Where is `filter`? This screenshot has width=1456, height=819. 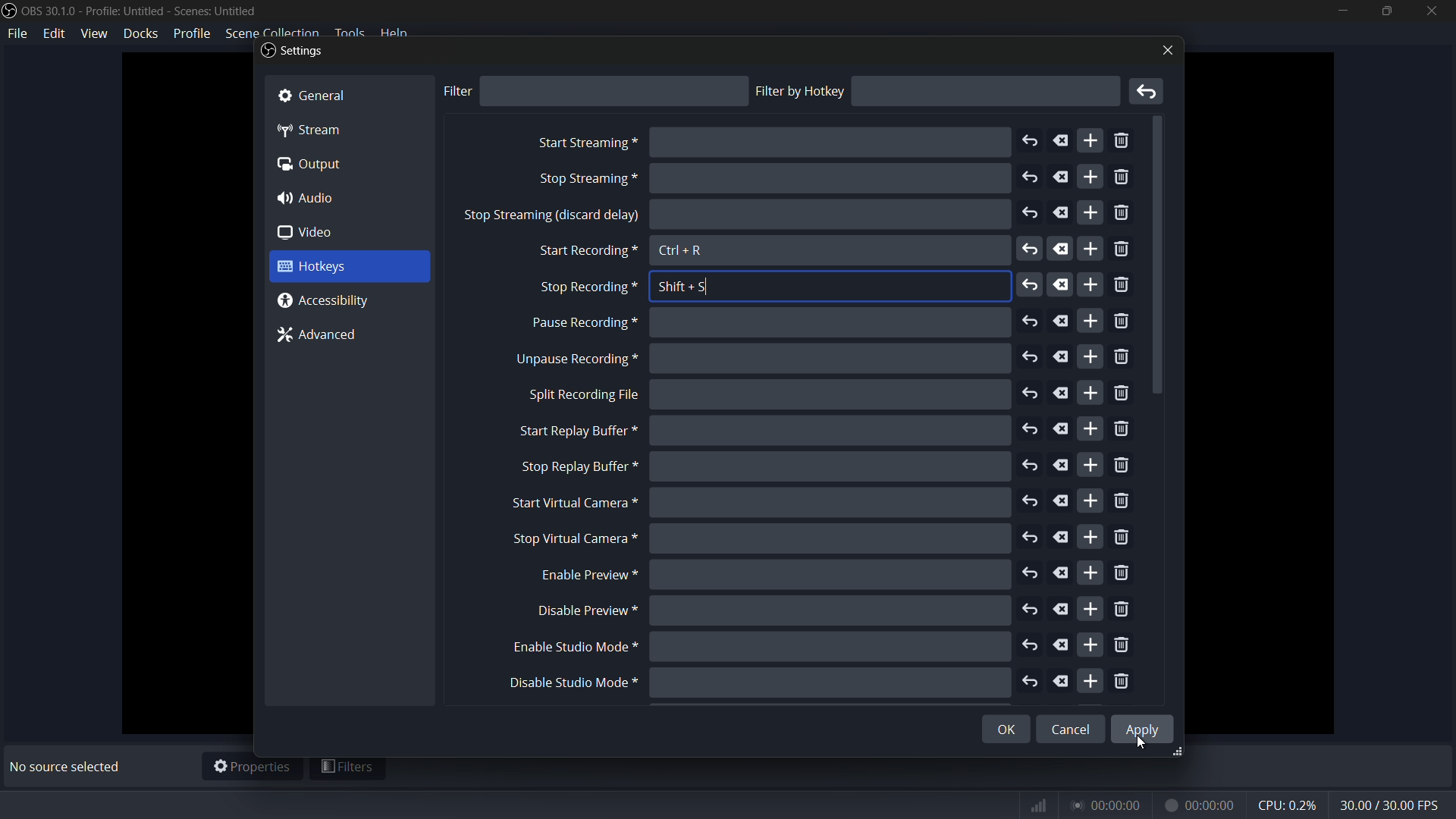
filter is located at coordinates (457, 91).